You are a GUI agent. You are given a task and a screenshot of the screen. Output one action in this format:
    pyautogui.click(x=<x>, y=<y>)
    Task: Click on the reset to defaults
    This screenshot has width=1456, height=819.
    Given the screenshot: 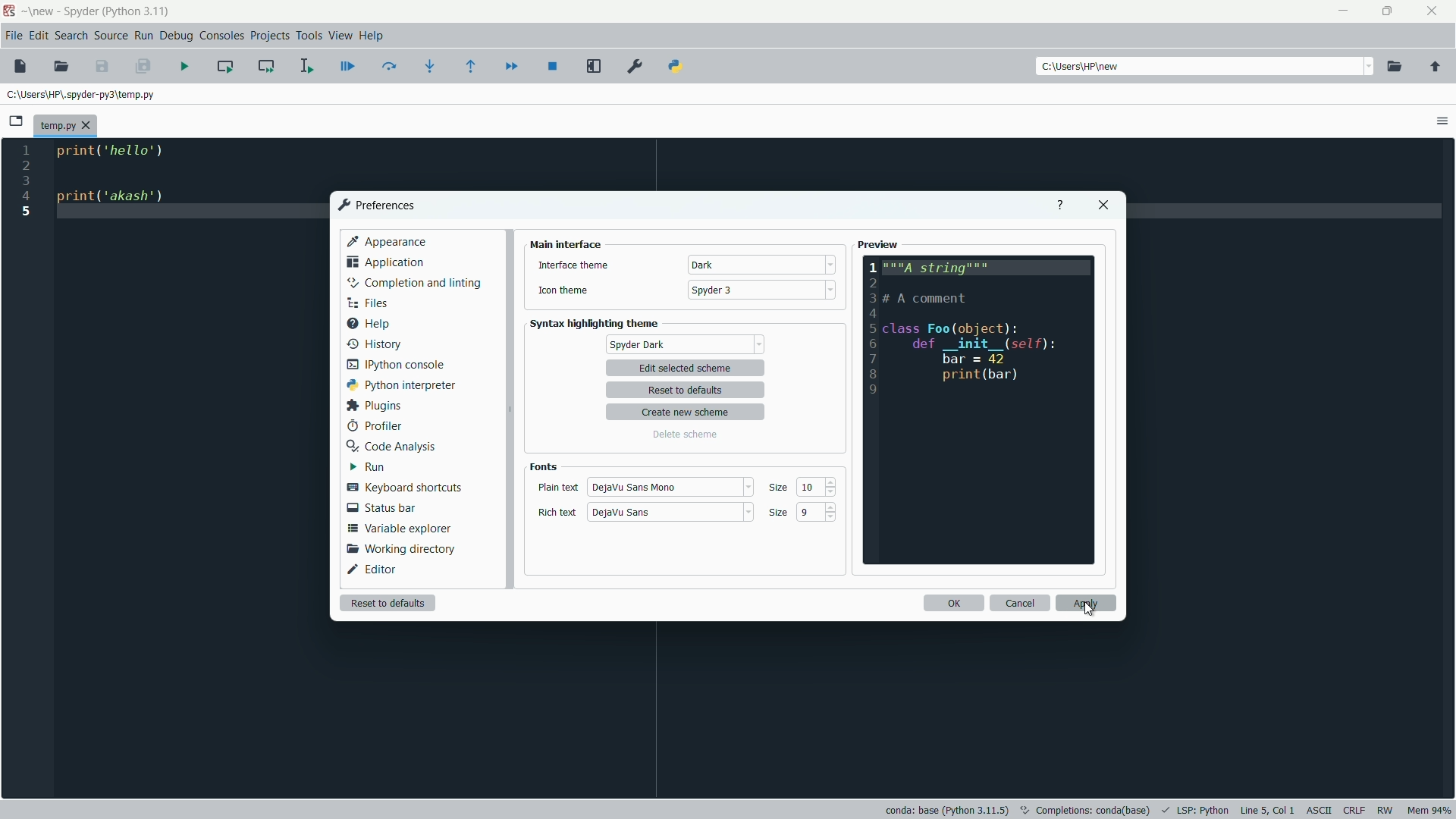 What is the action you would take?
    pyautogui.click(x=387, y=602)
    